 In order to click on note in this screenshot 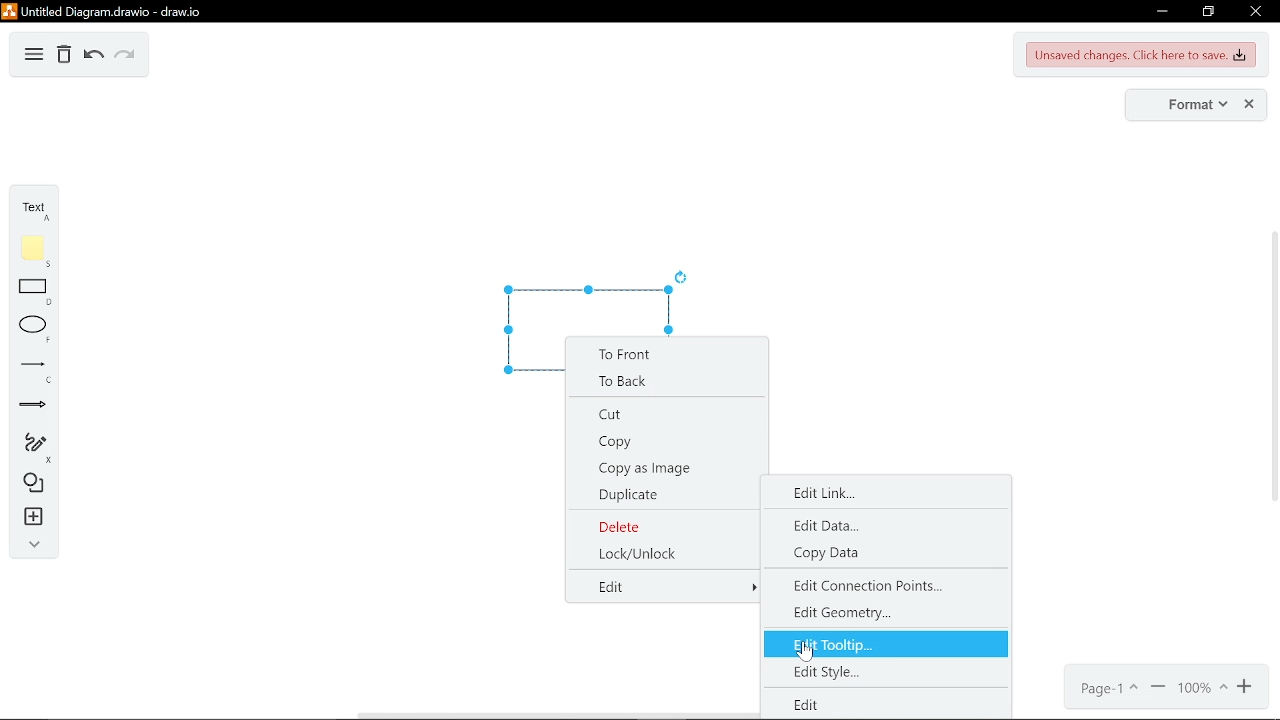, I will do `click(37, 251)`.